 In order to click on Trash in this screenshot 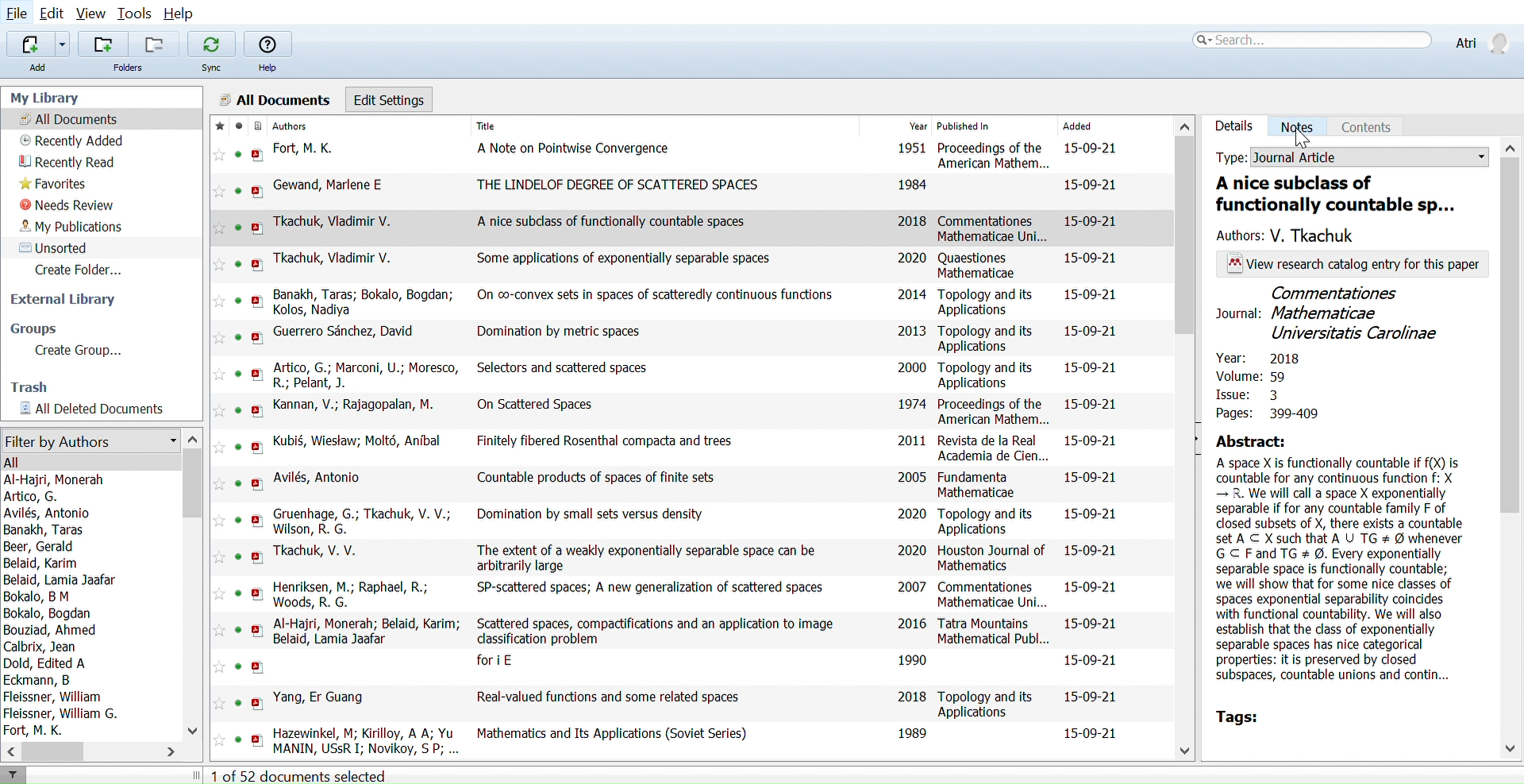, I will do `click(37, 388)`.